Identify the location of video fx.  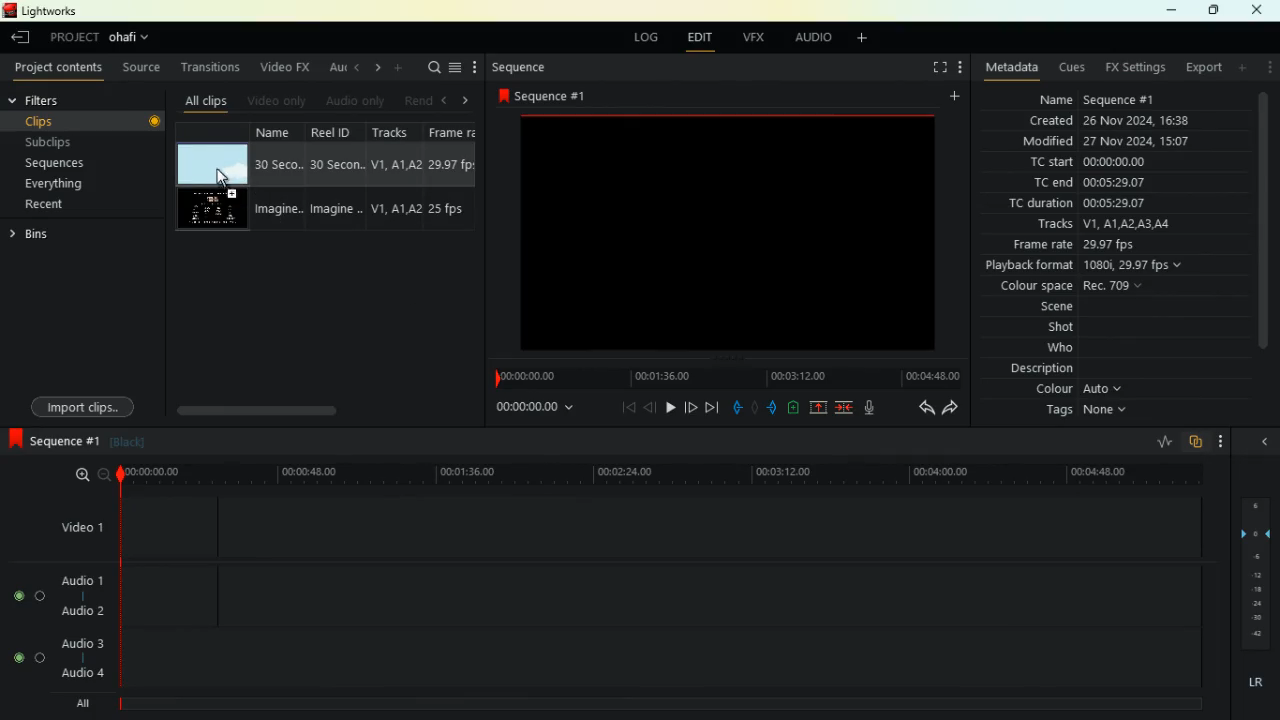
(286, 67).